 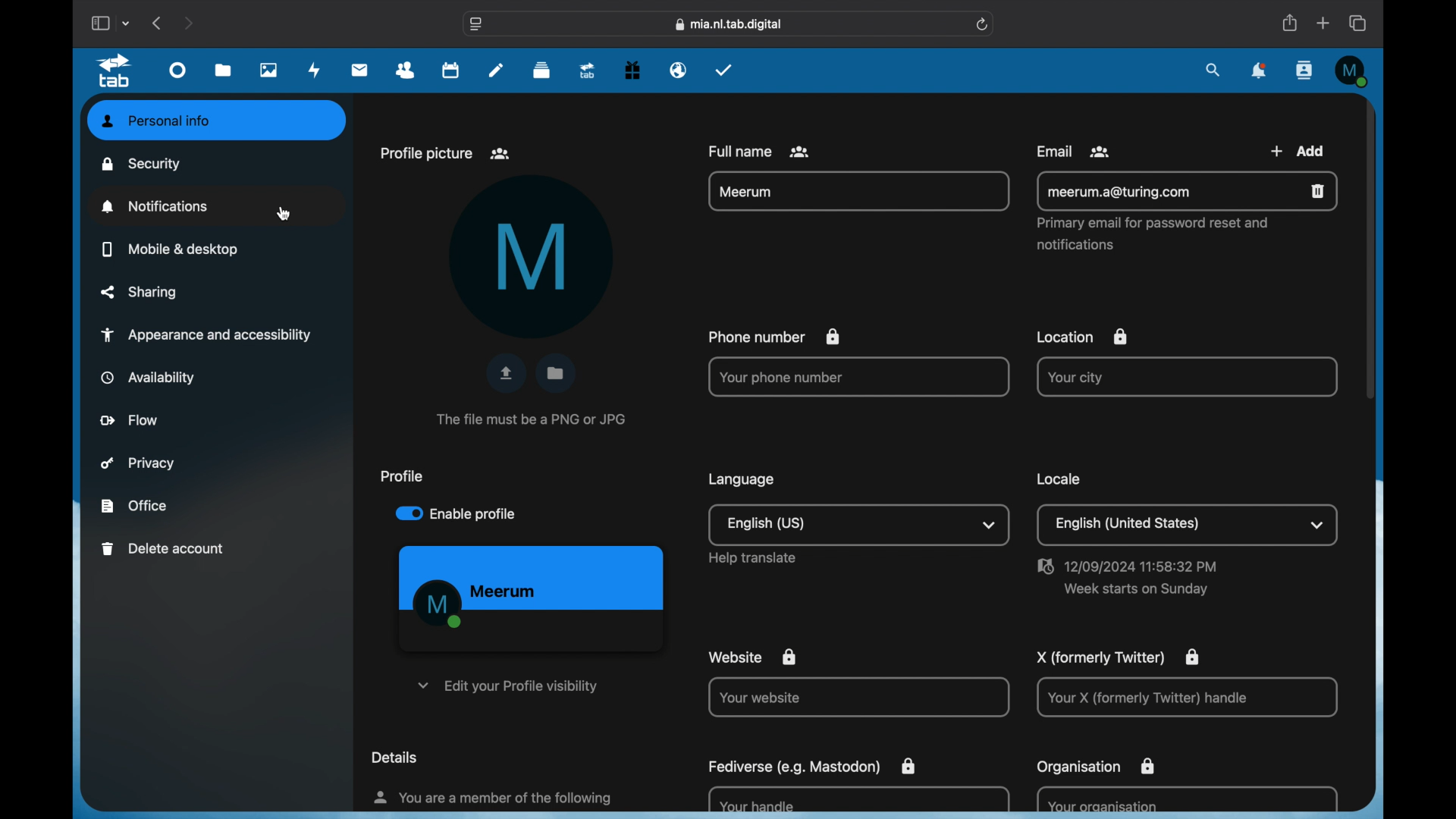 What do you see at coordinates (158, 23) in the screenshot?
I see `previous` at bounding box center [158, 23].